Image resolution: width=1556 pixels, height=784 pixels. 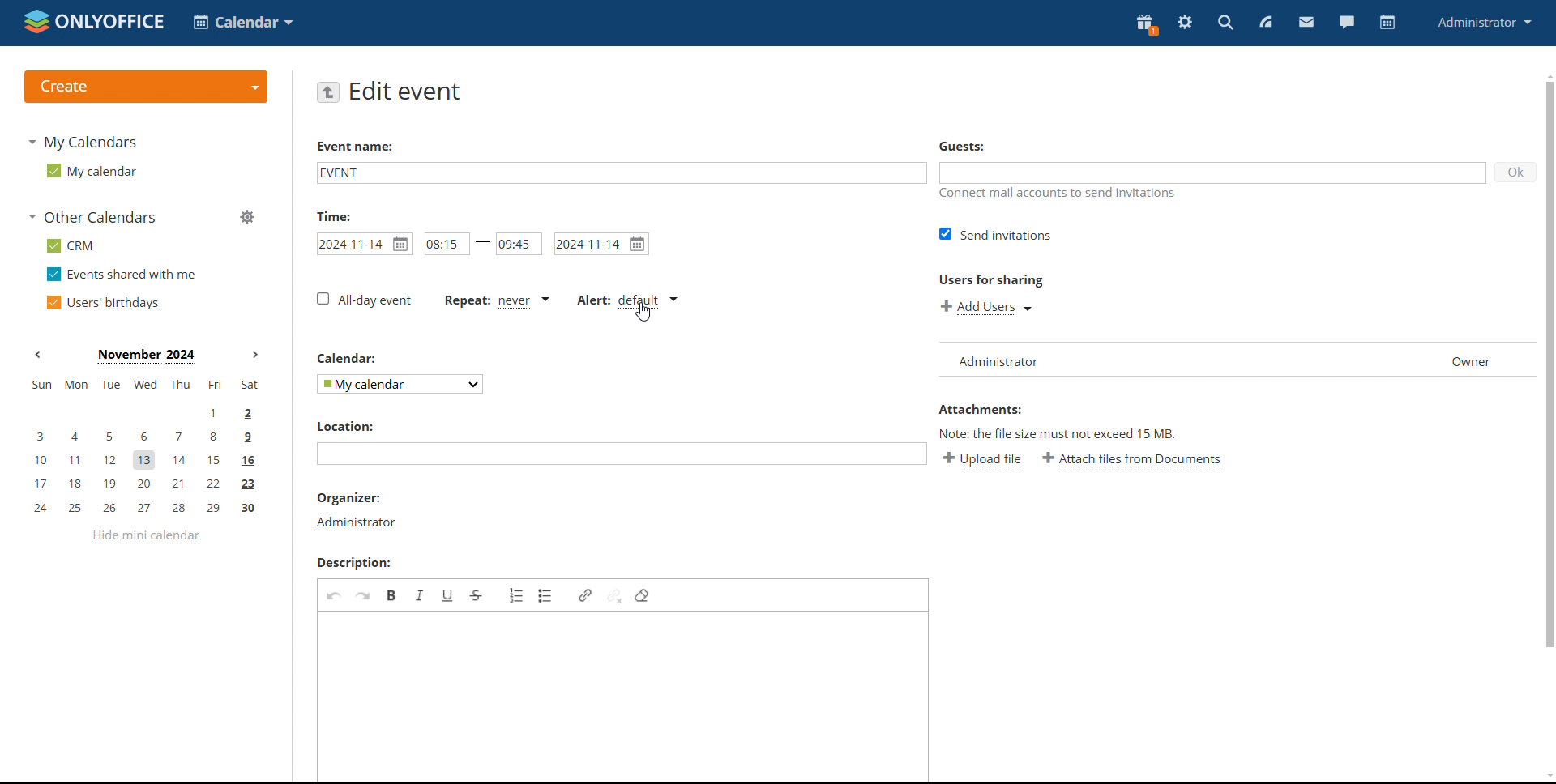 I want to click on end time, so click(x=519, y=244).